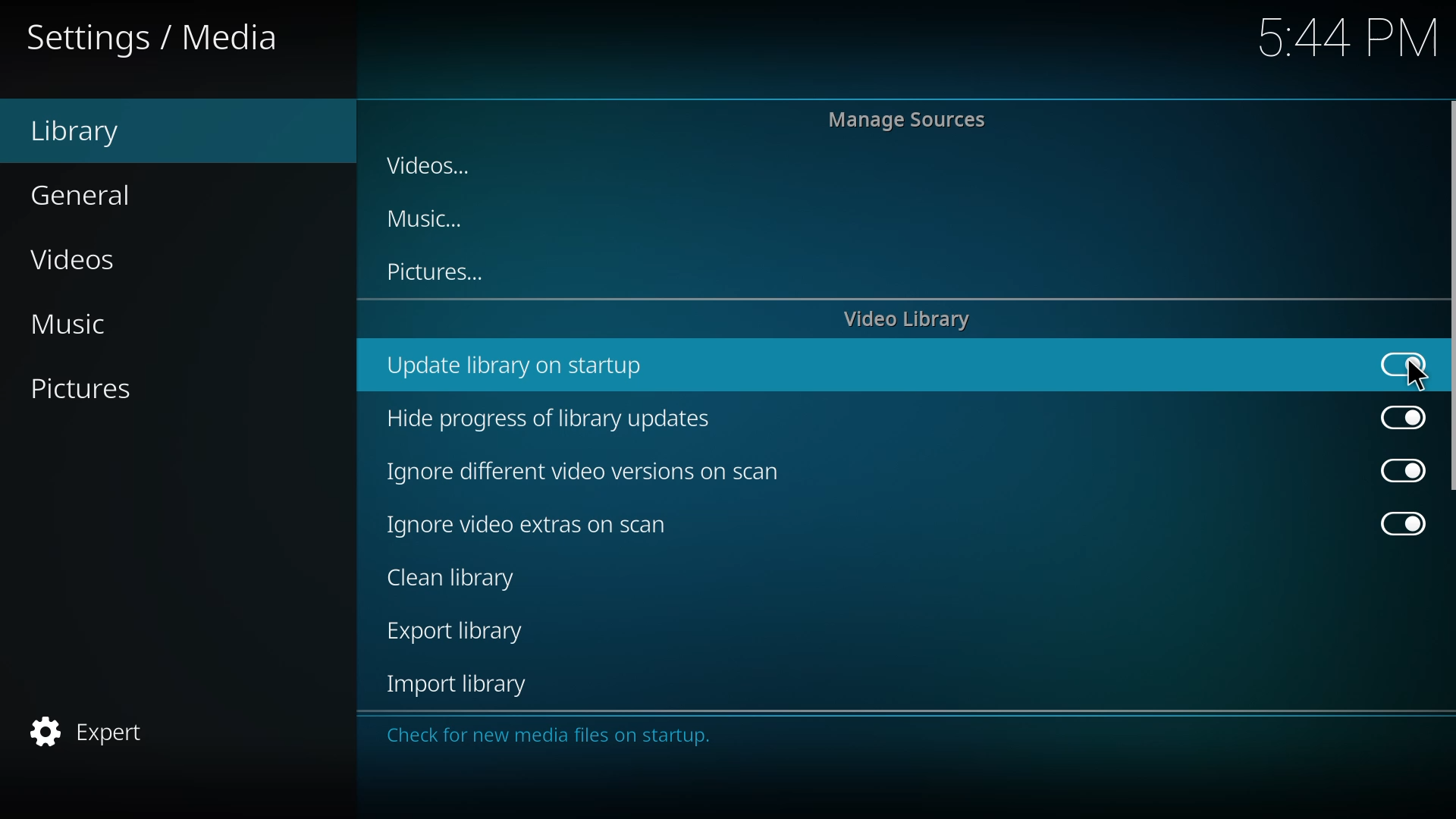 This screenshot has width=1456, height=819. I want to click on clean library, so click(453, 579).